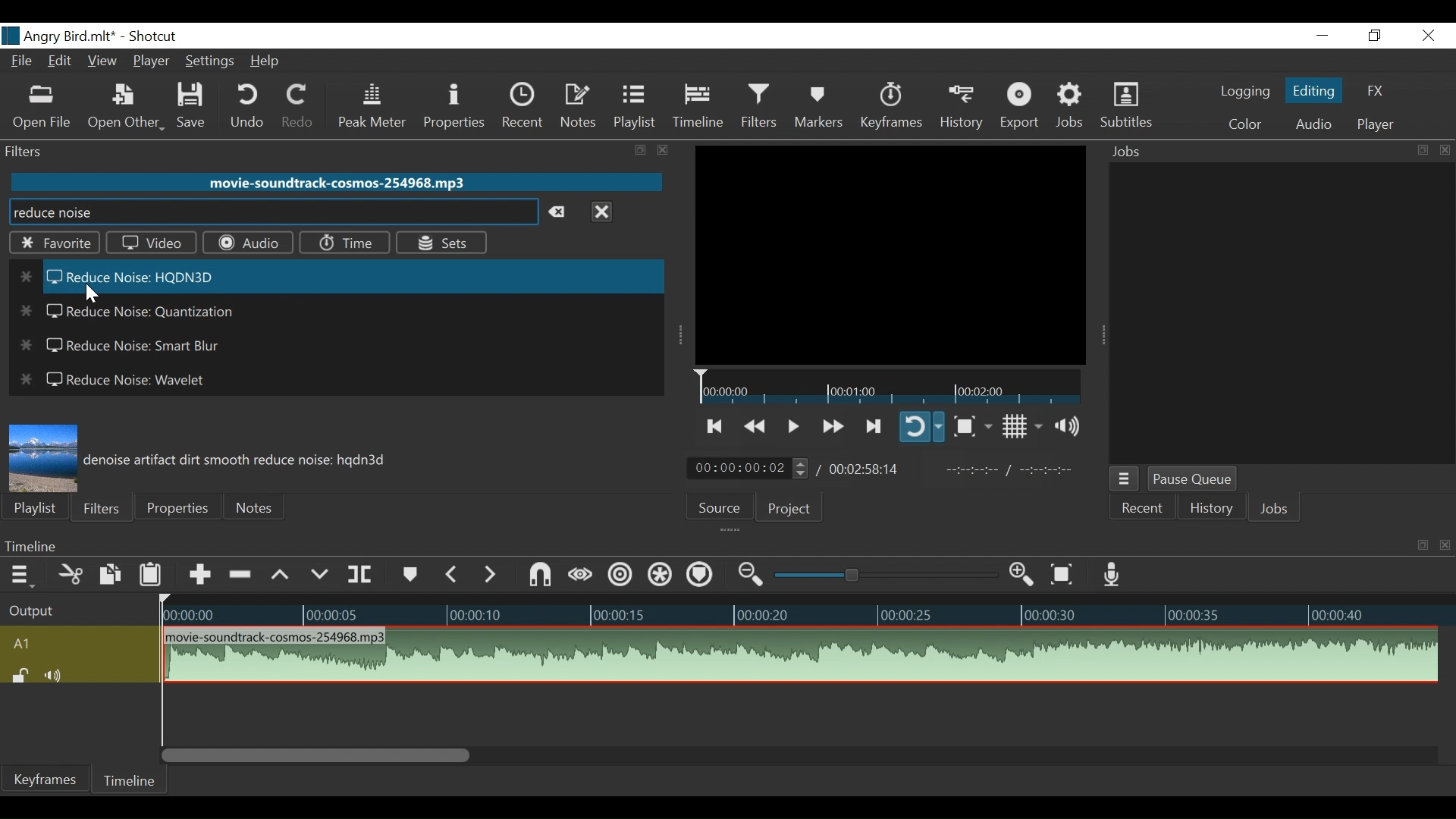 This screenshot has height=819, width=1456. What do you see at coordinates (923, 428) in the screenshot?
I see `Toggle player on looping` at bounding box center [923, 428].